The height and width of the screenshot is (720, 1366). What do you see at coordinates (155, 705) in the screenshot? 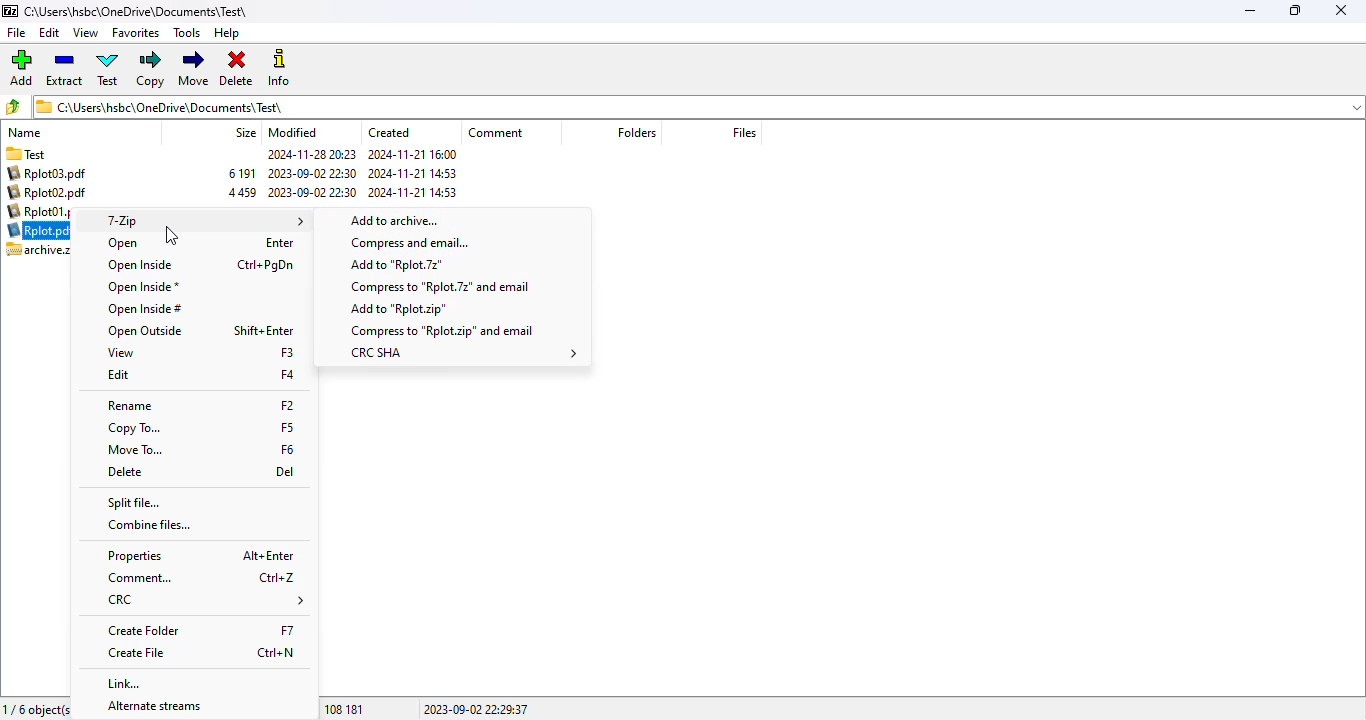
I see `alternate streams` at bounding box center [155, 705].